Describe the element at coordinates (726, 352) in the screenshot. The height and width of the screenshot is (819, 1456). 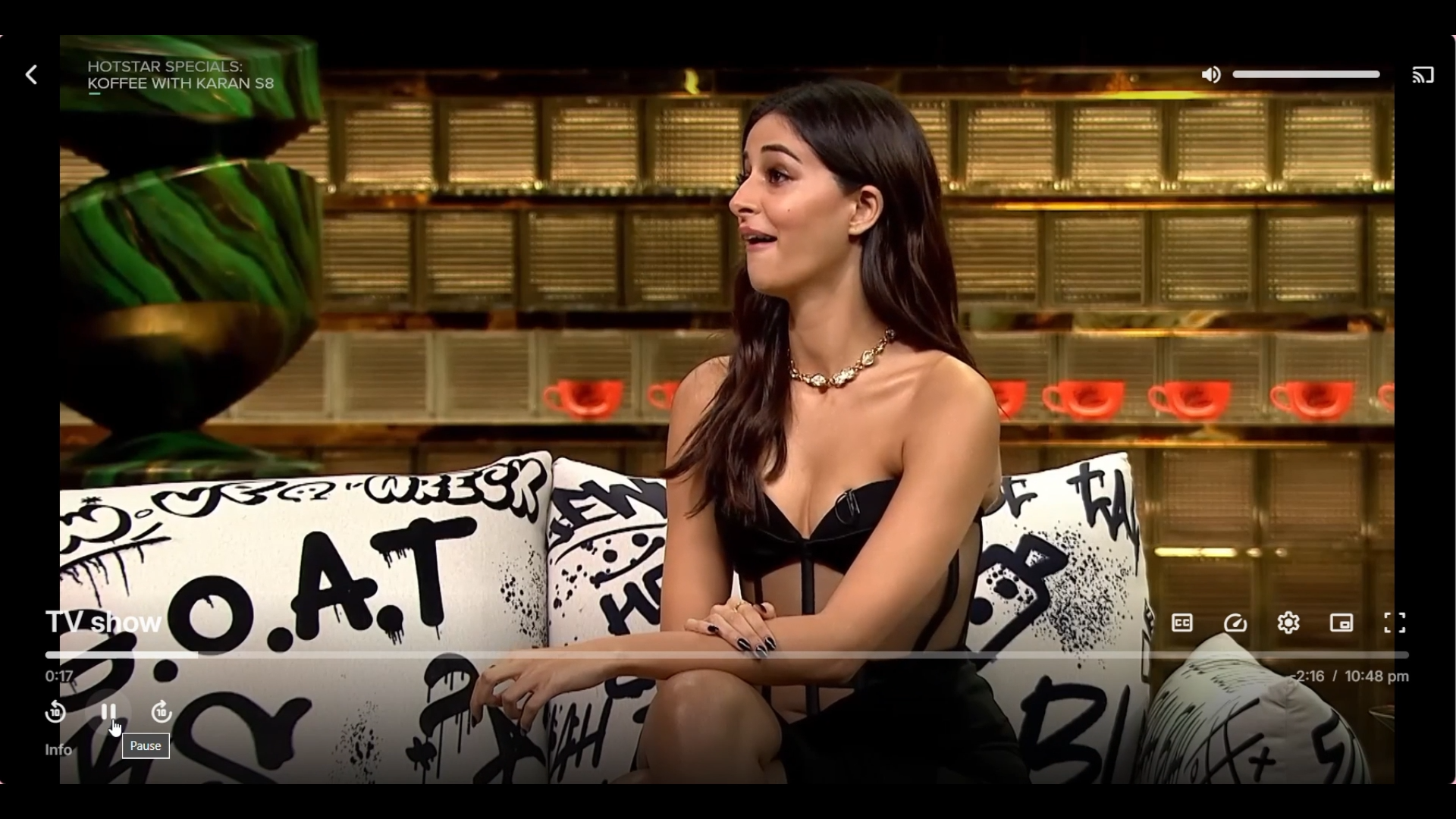
I see `Video space` at that location.